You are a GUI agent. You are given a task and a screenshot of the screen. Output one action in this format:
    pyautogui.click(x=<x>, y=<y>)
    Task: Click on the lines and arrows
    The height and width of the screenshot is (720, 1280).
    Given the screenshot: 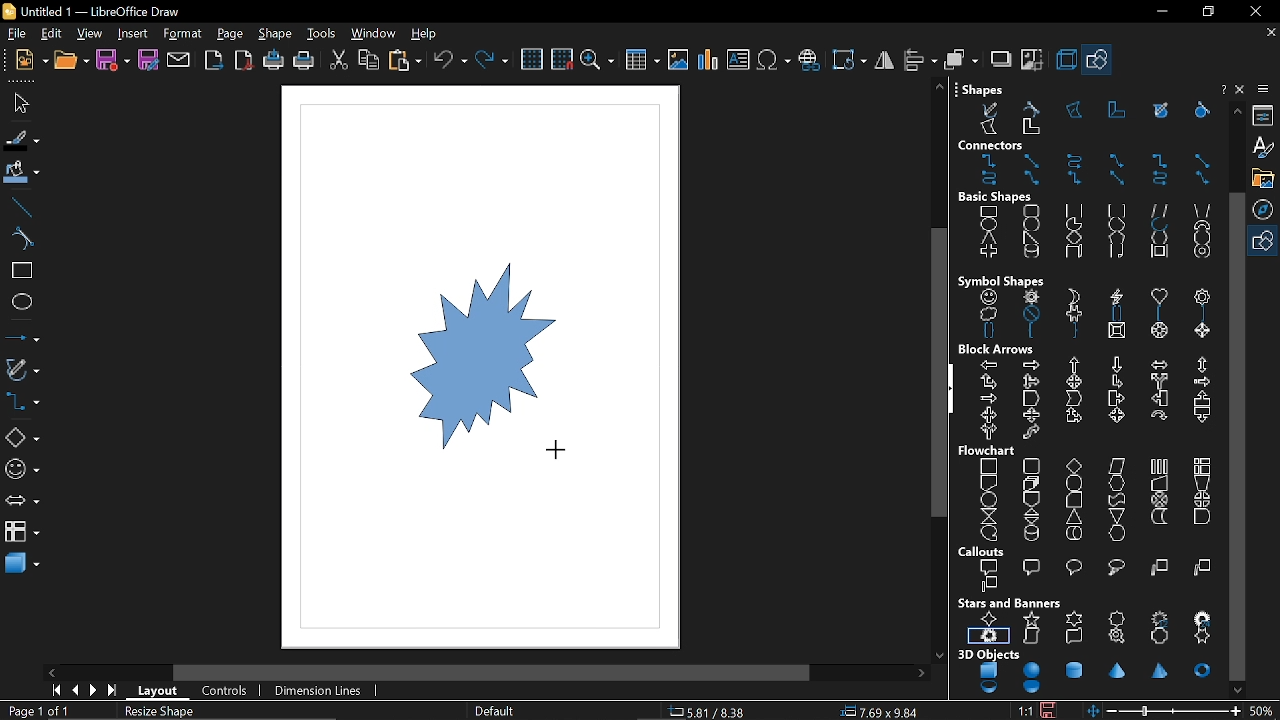 What is the action you would take?
    pyautogui.click(x=22, y=335)
    